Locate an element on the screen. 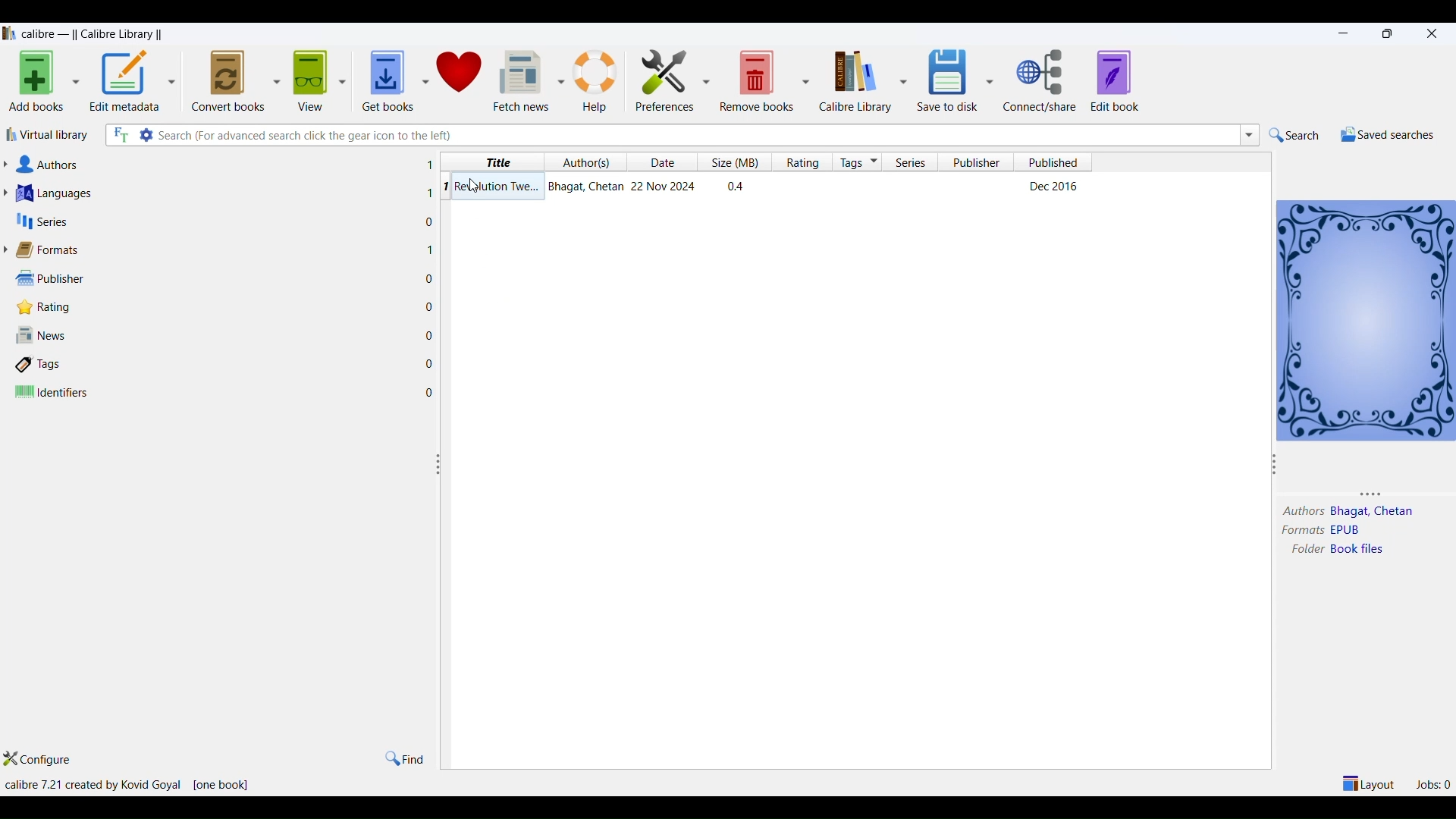 The width and height of the screenshot is (1456, 819). close is located at coordinates (1436, 35).